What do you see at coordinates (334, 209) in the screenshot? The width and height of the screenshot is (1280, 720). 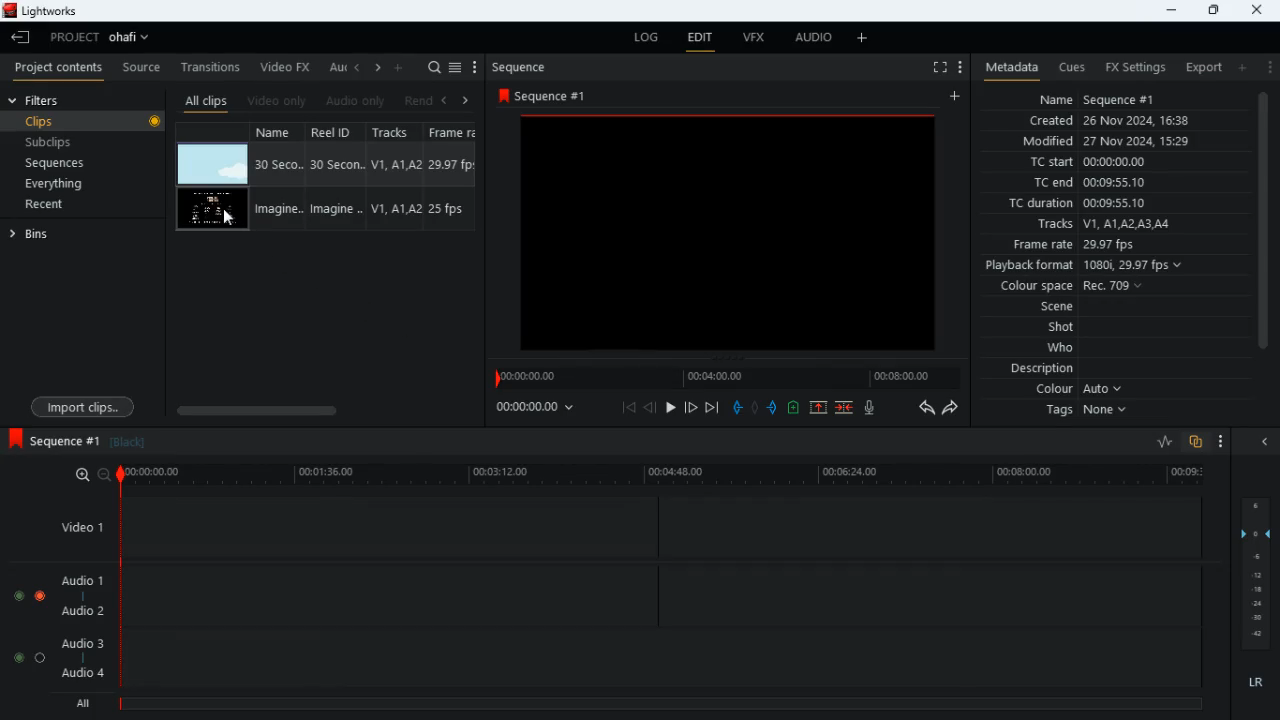 I see `Imagin` at bounding box center [334, 209].